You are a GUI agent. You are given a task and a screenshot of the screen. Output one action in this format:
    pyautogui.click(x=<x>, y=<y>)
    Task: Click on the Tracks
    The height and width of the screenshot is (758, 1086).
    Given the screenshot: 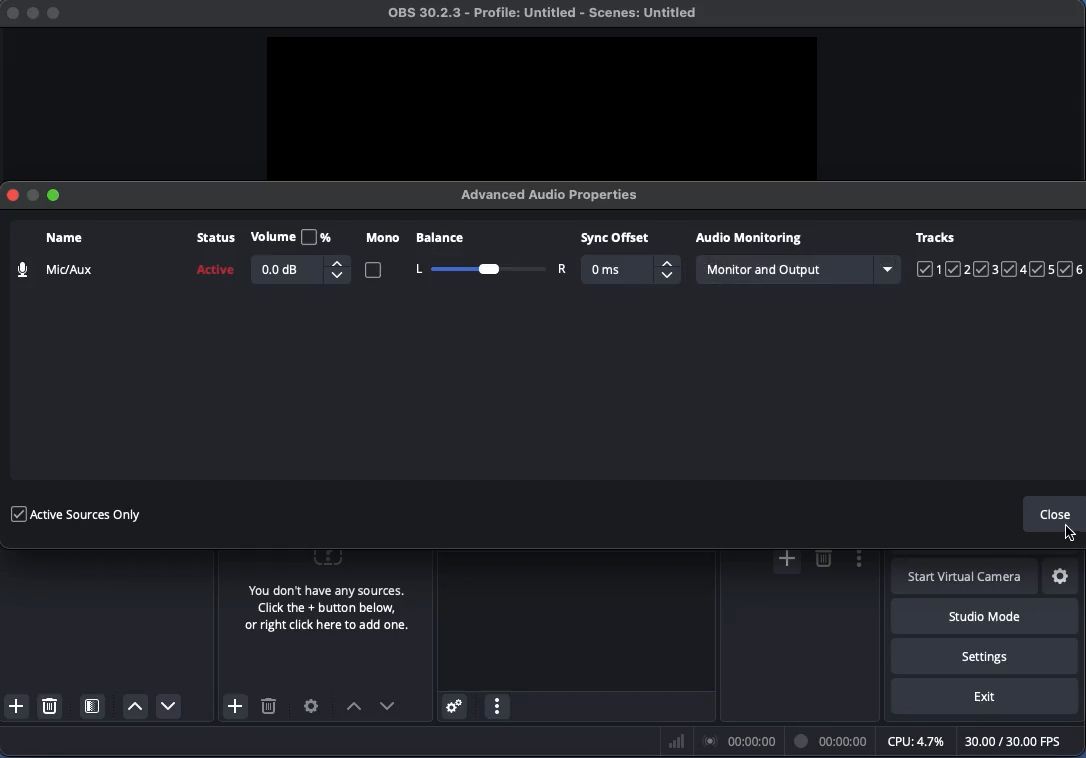 What is the action you would take?
    pyautogui.click(x=1000, y=254)
    